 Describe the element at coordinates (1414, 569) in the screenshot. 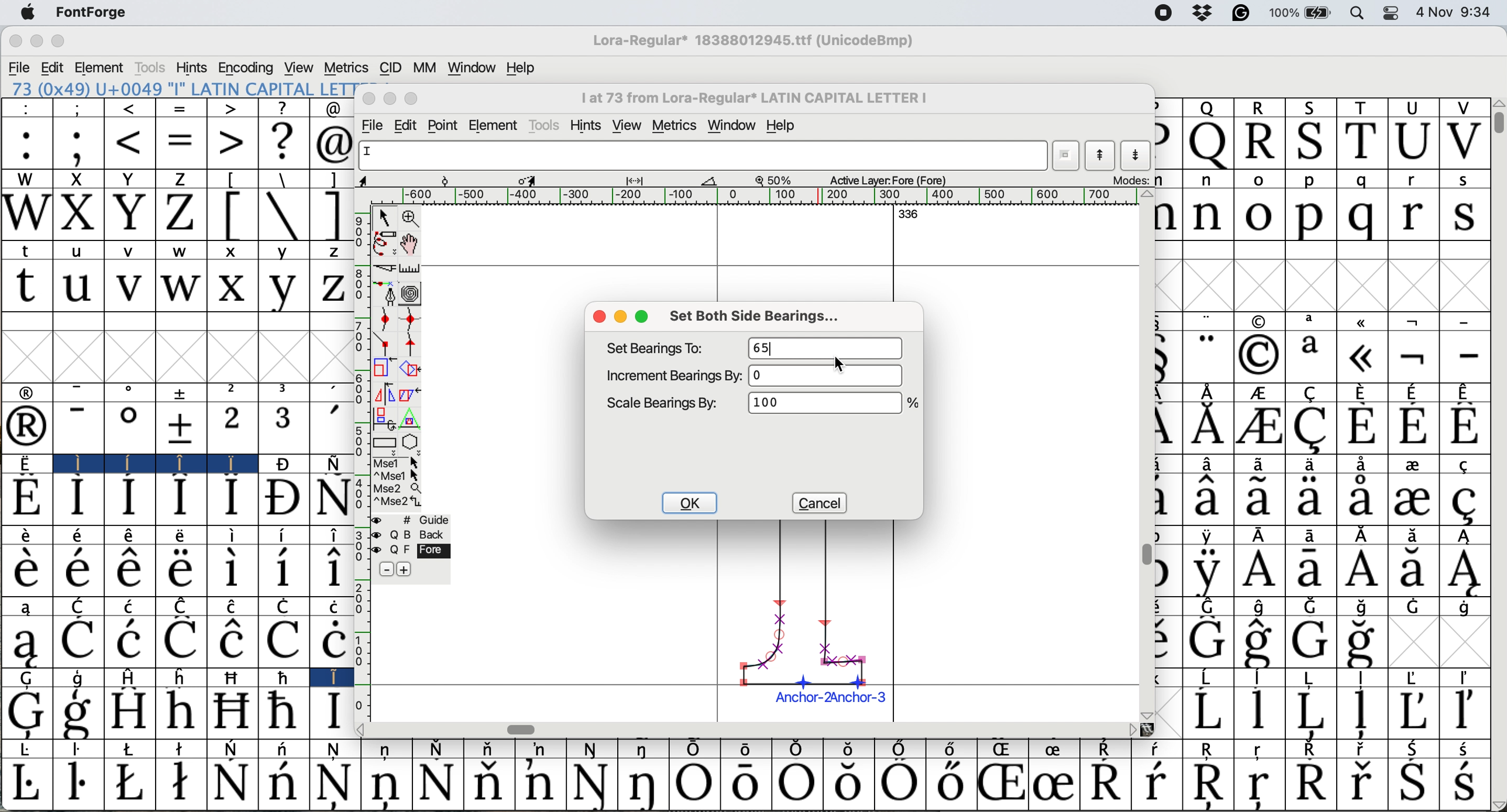

I see `Symbol` at that location.